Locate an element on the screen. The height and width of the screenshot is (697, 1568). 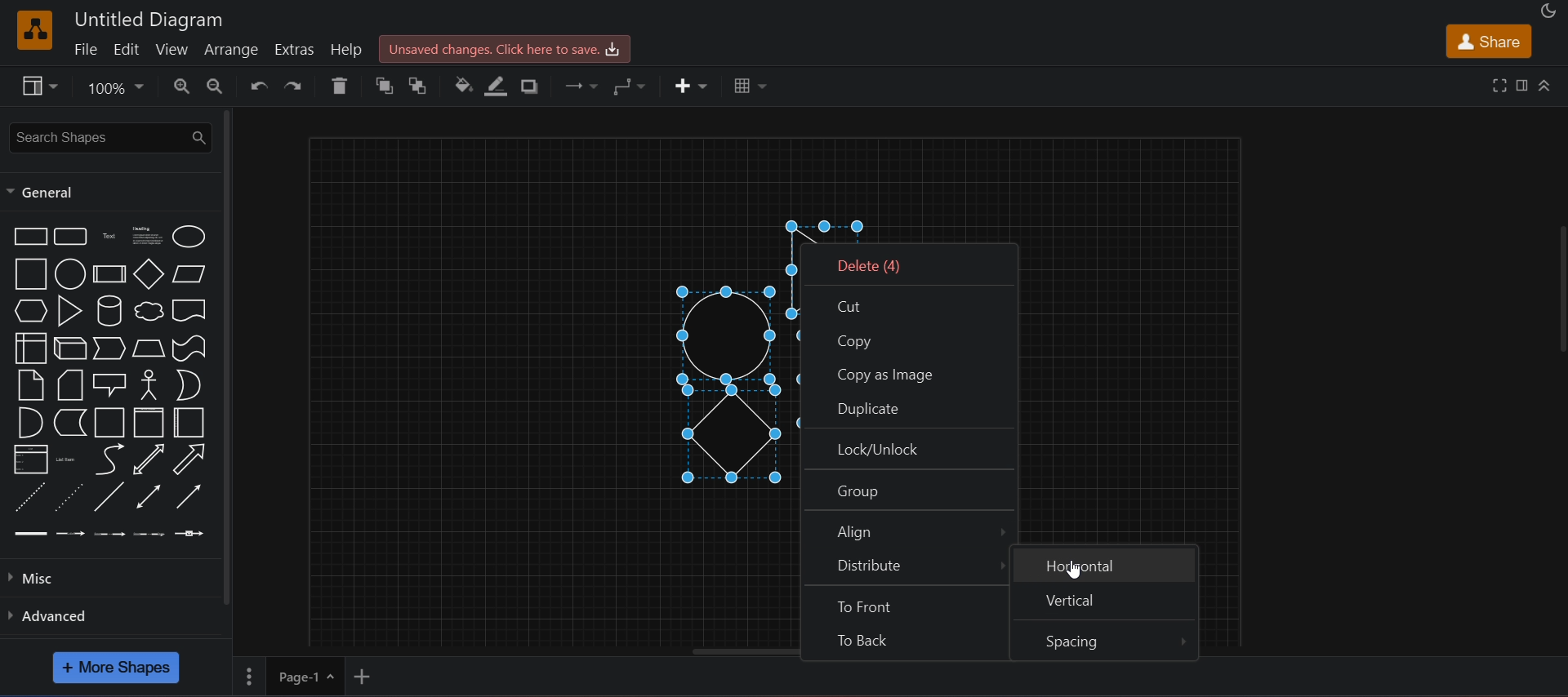
lock/unlock is located at coordinates (909, 450).